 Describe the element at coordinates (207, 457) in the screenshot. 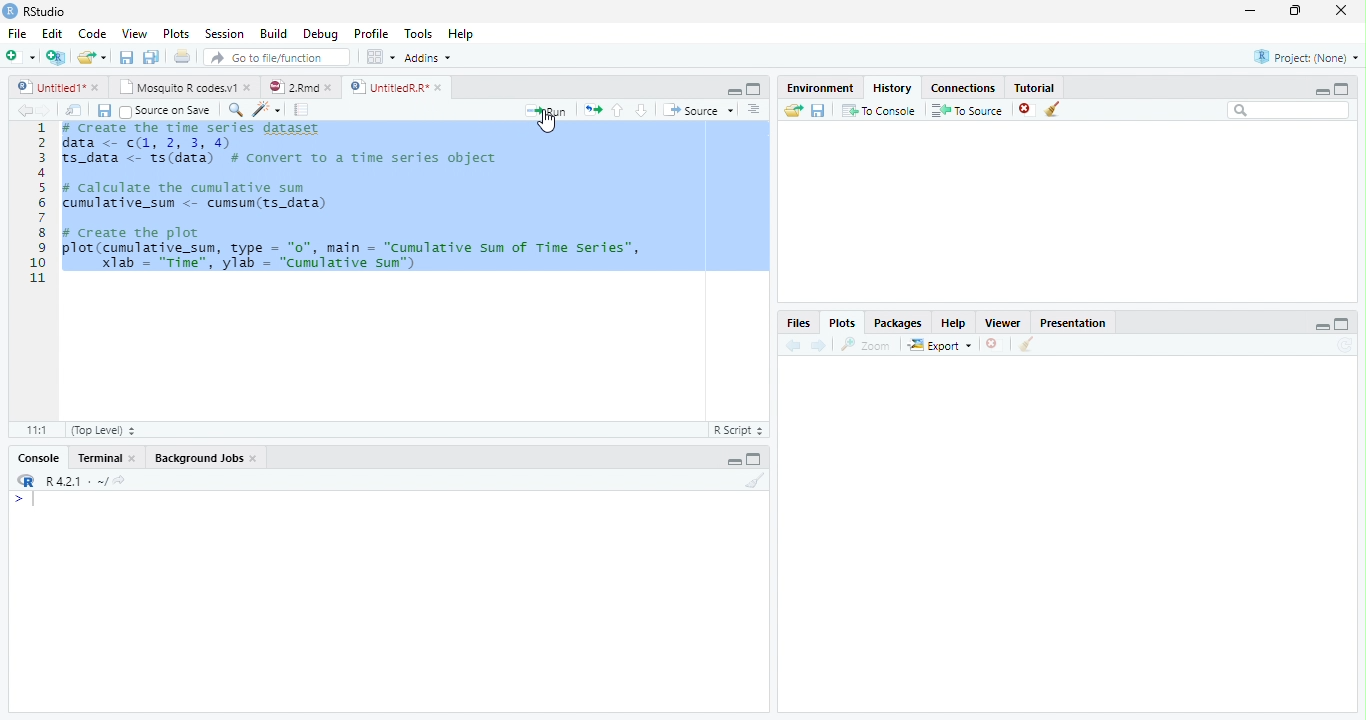

I see `Background Jobs` at that location.